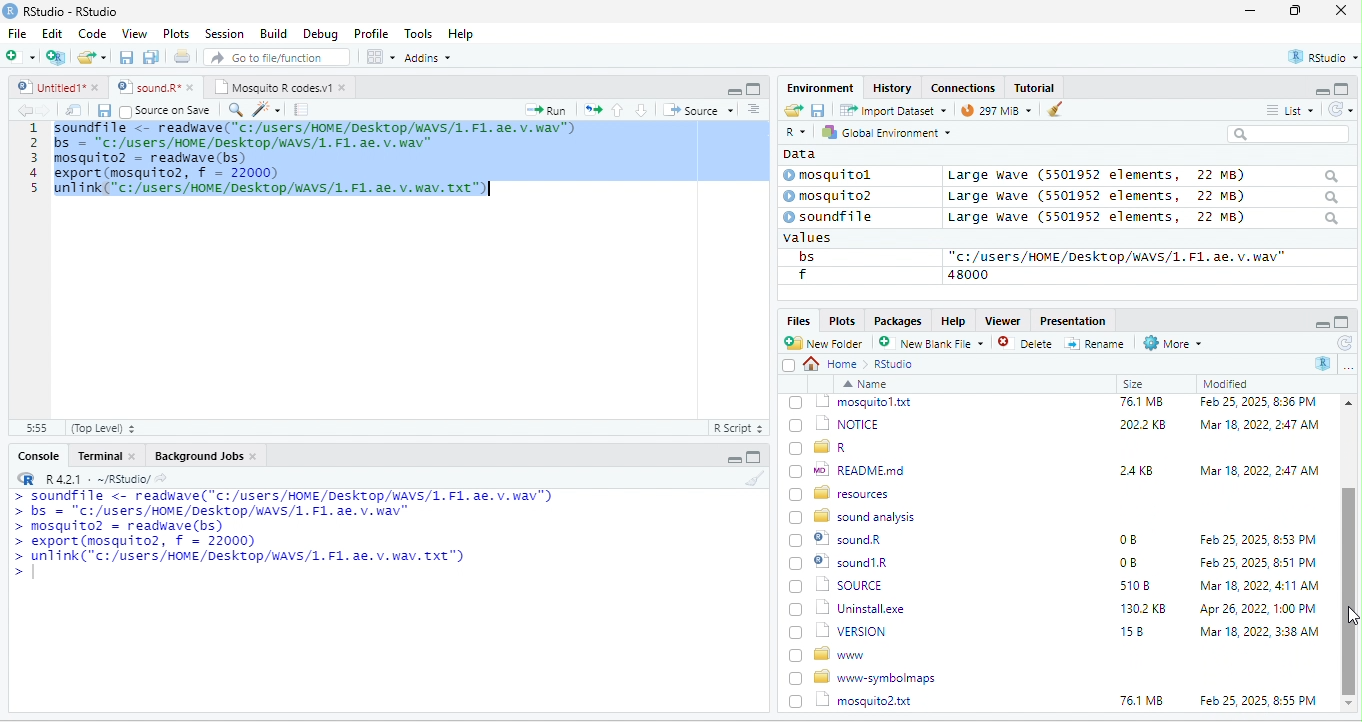  I want to click on © Rhistory, so click(838, 426).